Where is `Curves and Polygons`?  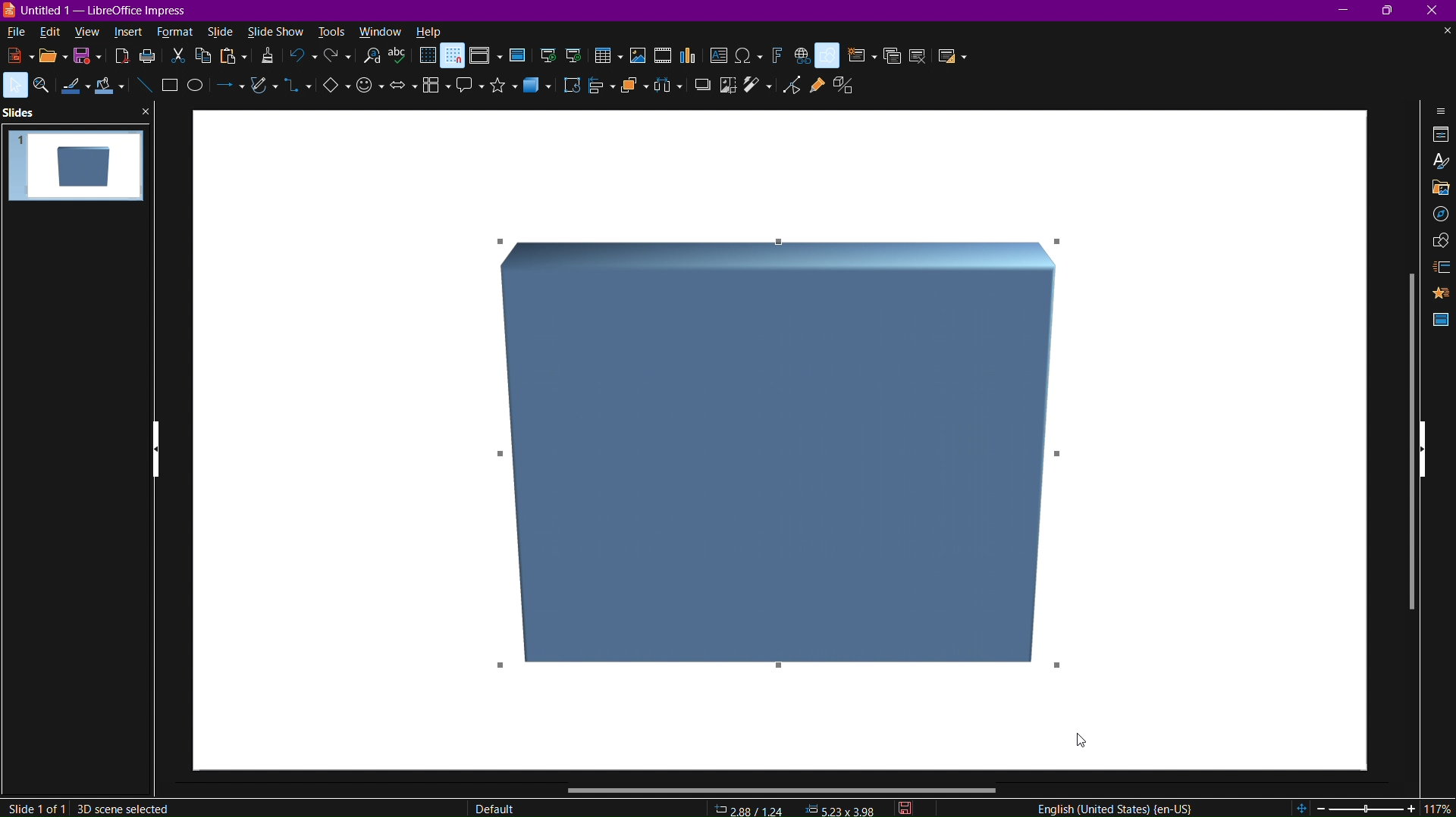
Curves and Polygons is located at coordinates (262, 92).